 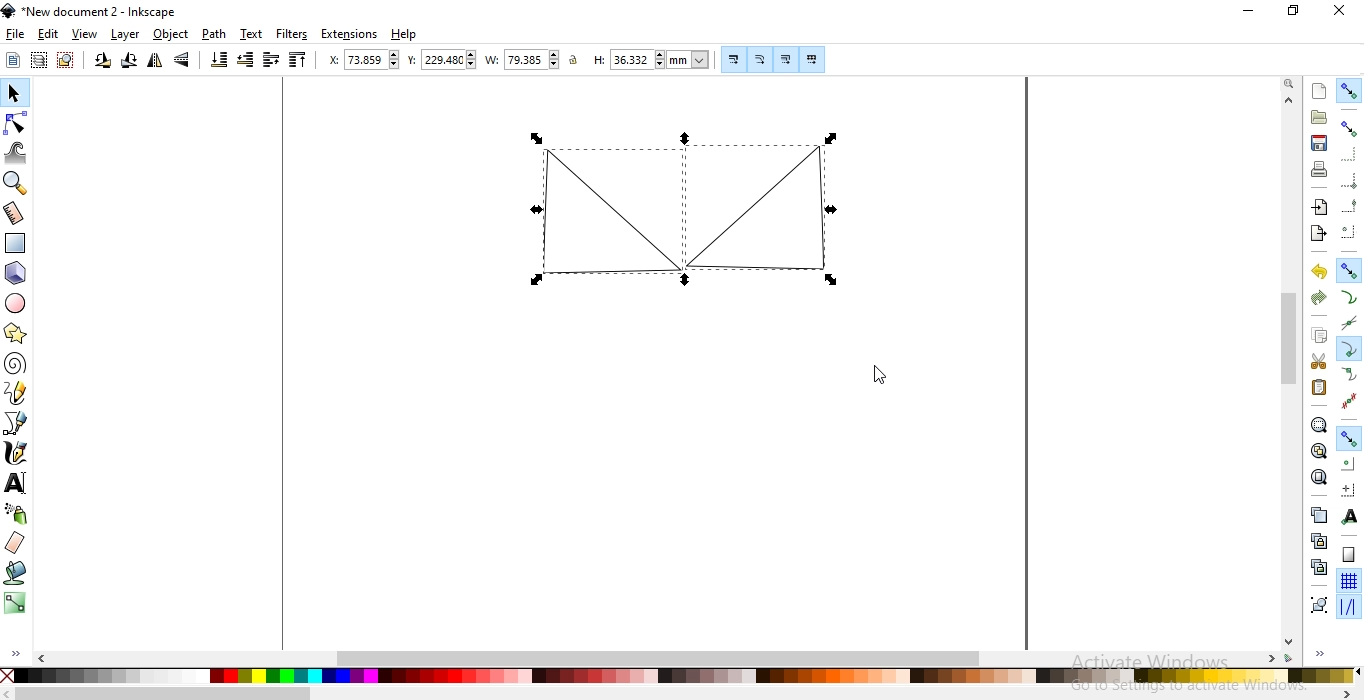 I want to click on move gradients along with objects, so click(x=786, y=60).